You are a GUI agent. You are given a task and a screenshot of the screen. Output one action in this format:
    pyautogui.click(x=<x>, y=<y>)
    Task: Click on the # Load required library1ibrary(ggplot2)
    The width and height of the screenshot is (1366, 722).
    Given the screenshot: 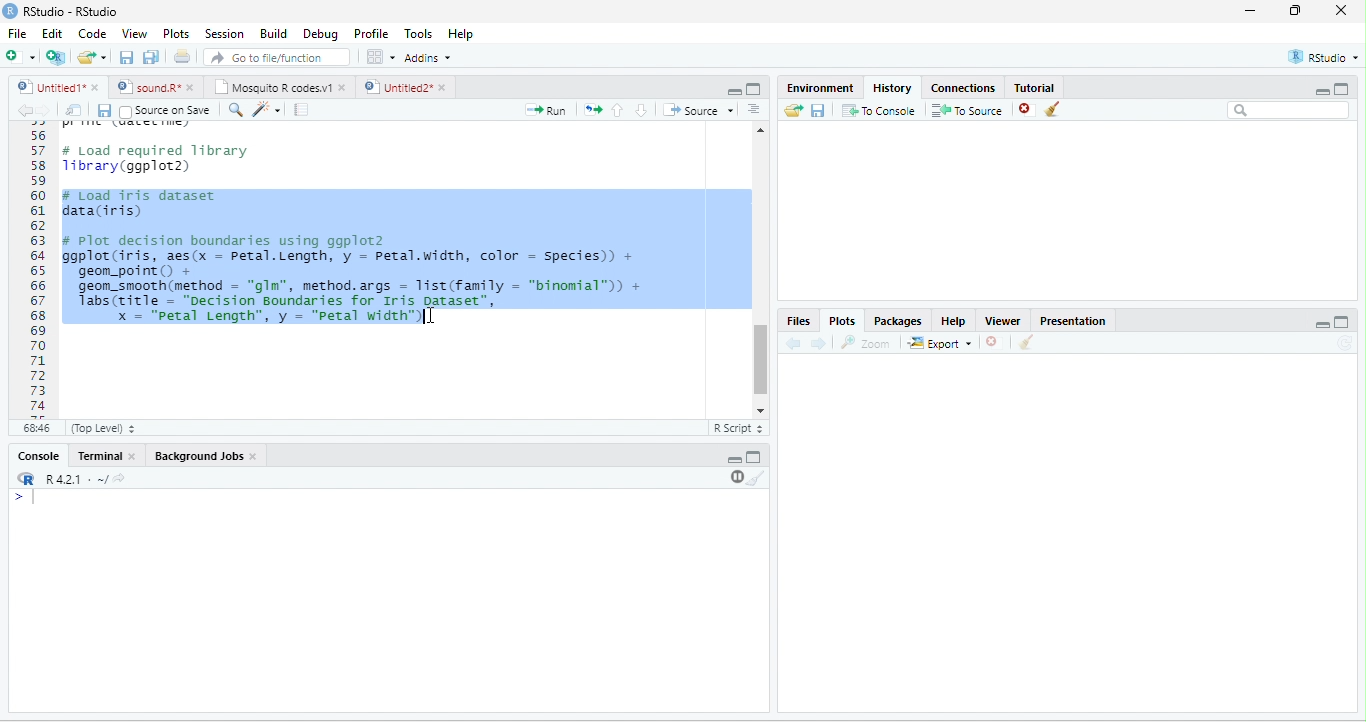 What is the action you would take?
    pyautogui.click(x=157, y=159)
    